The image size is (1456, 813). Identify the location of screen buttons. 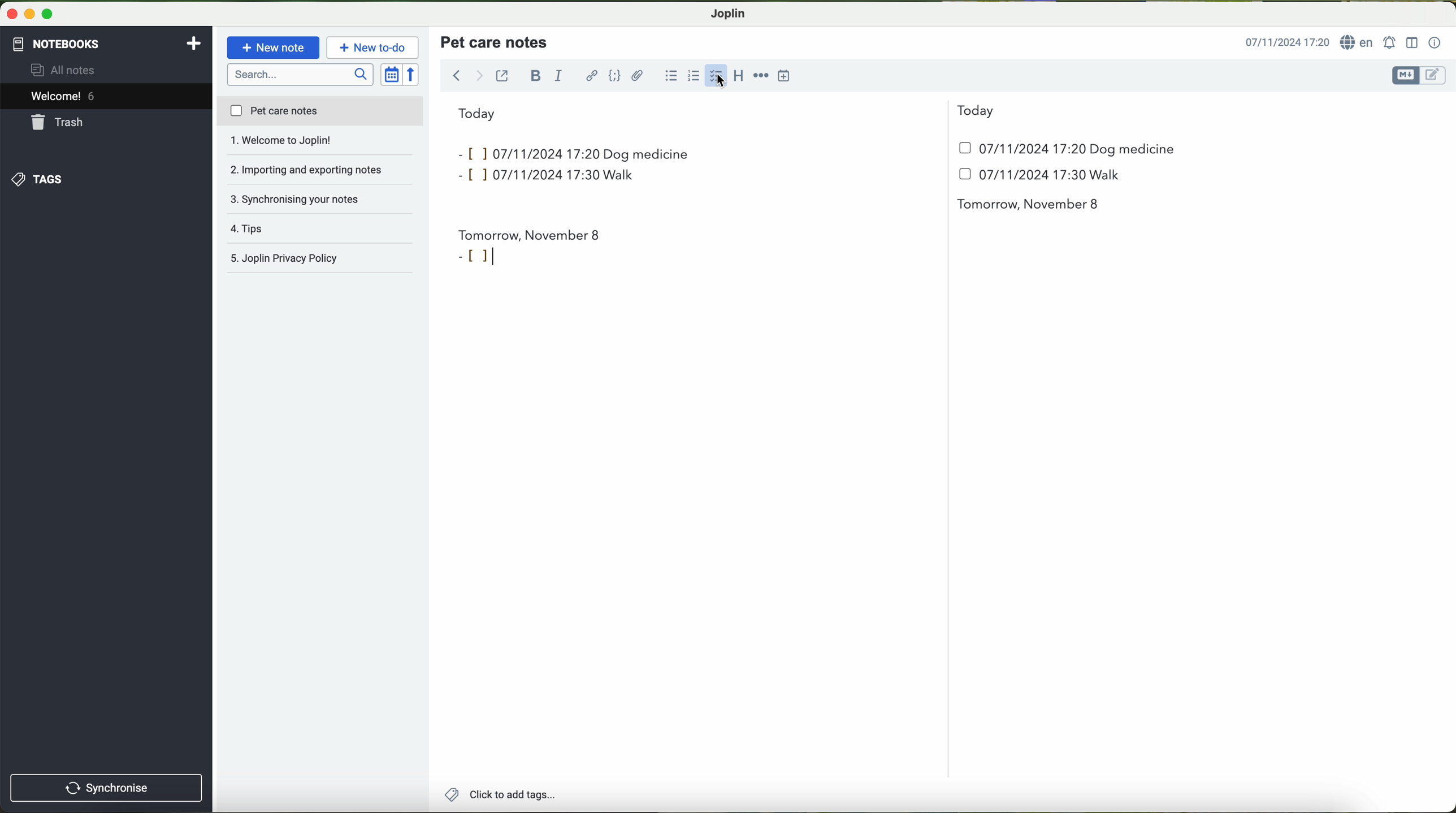
(28, 15).